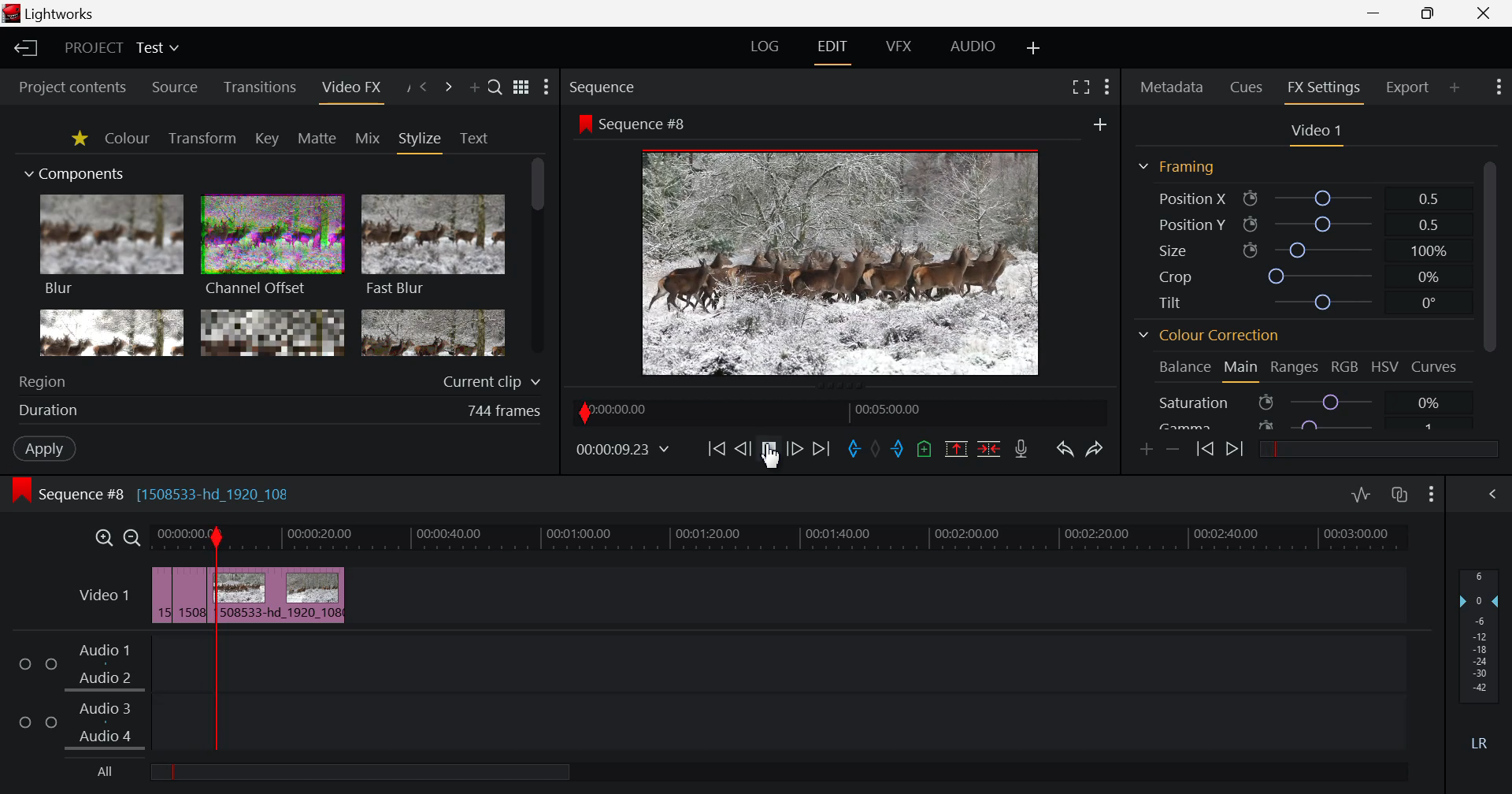 Image resolution: width=1512 pixels, height=794 pixels. I want to click on Mix, so click(368, 138).